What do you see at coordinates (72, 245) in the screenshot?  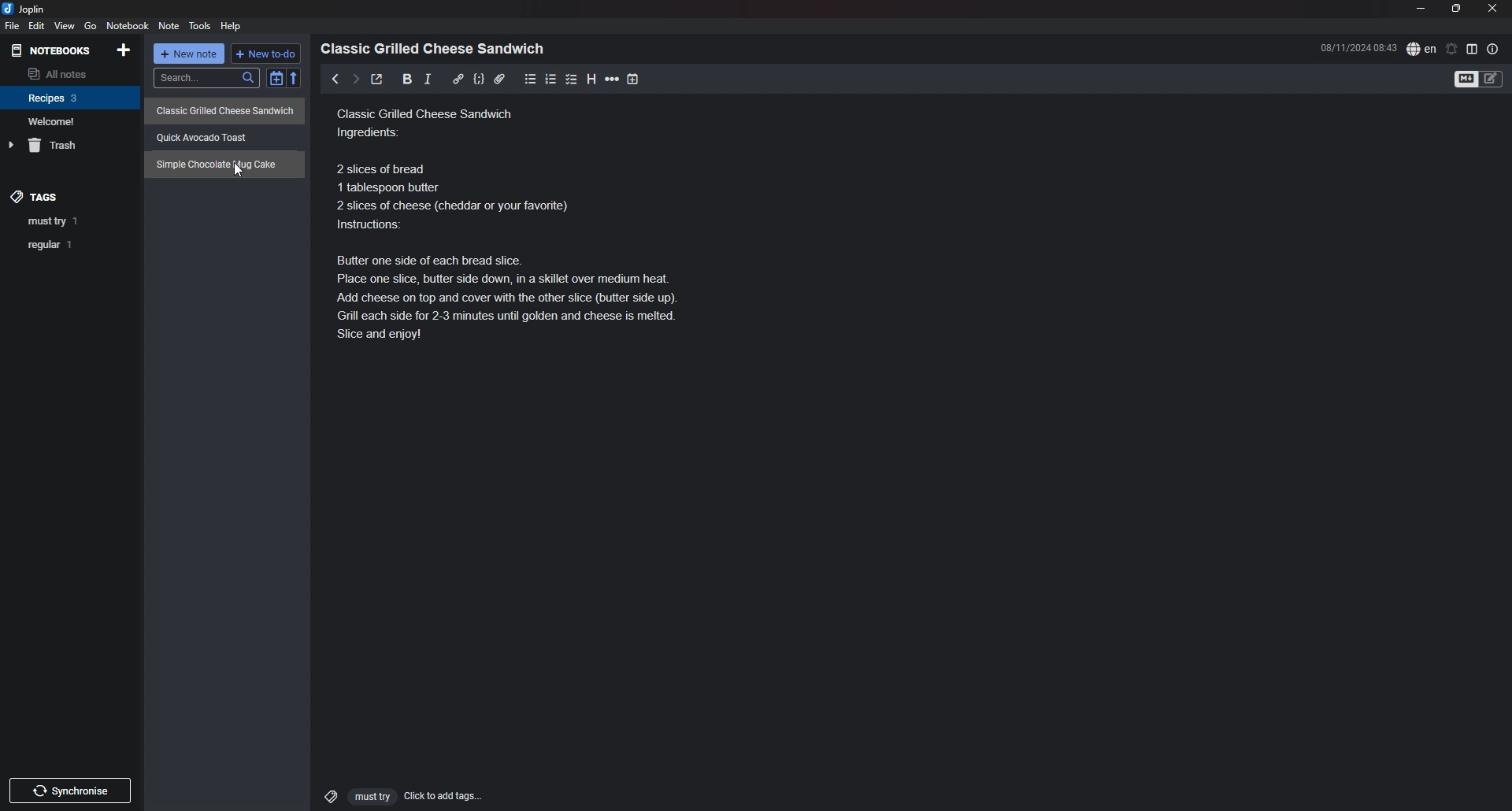 I see `tag` at bounding box center [72, 245].